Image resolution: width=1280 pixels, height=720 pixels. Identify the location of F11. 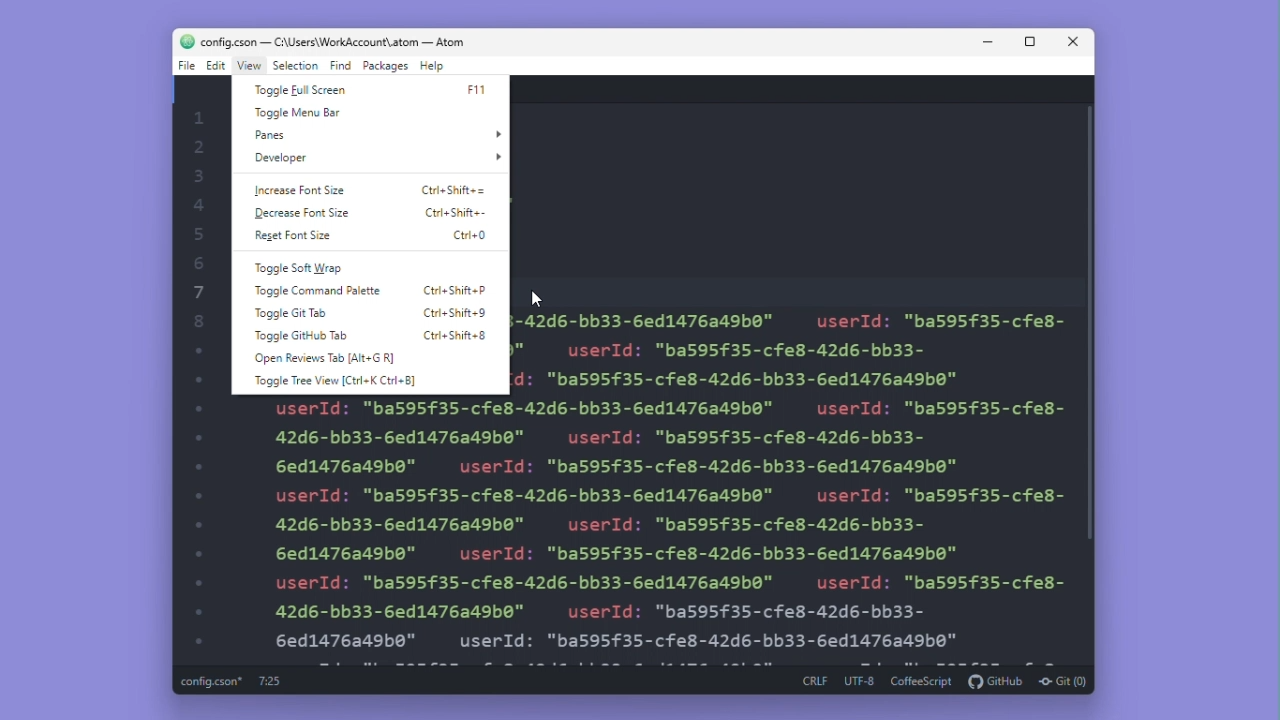
(476, 94).